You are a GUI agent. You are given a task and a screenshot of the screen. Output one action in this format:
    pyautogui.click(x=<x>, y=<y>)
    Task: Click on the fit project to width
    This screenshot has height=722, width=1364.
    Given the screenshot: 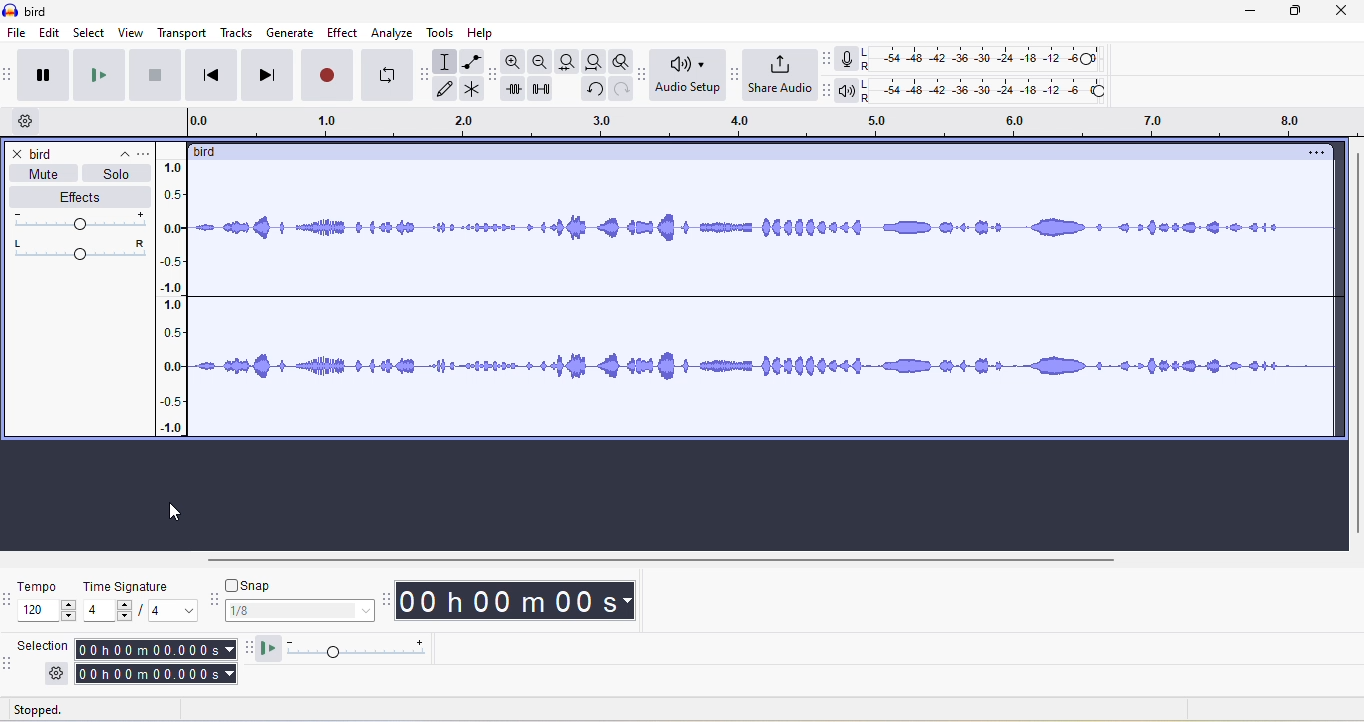 What is the action you would take?
    pyautogui.click(x=592, y=64)
    